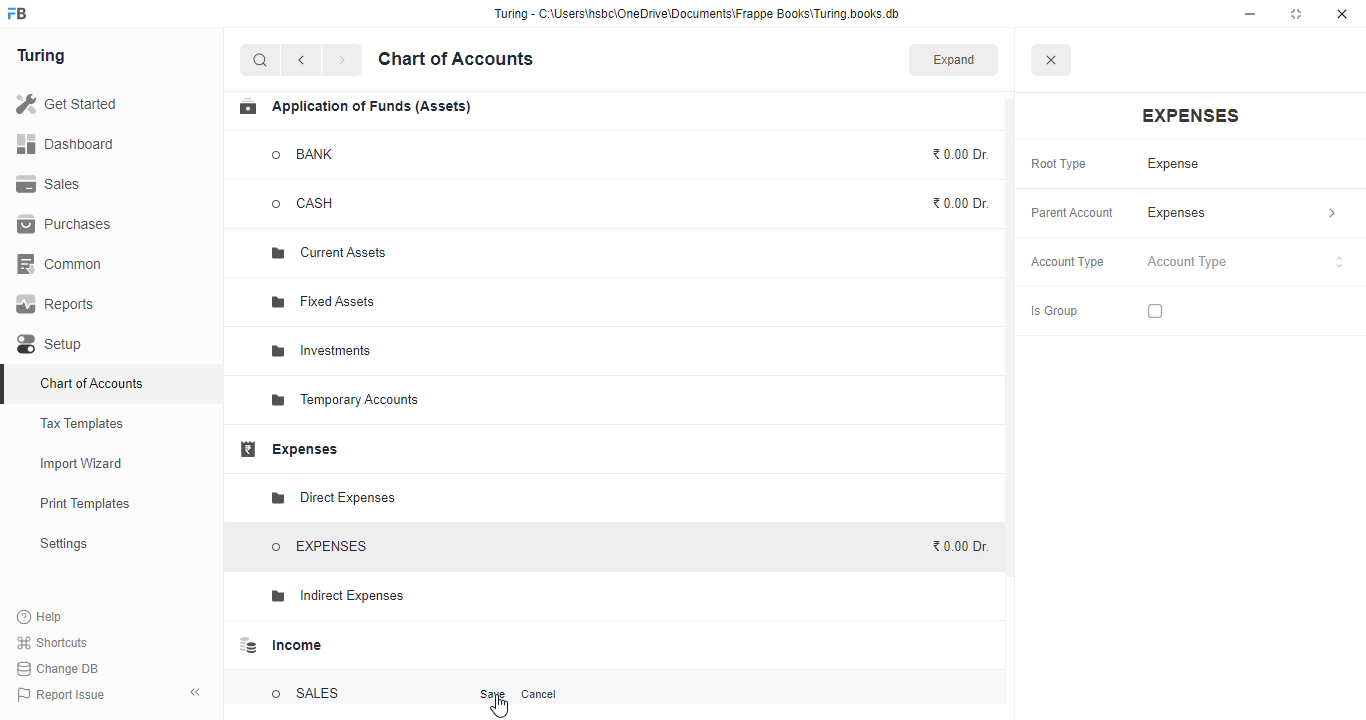 The image size is (1366, 720). What do you see at coordinates (958, 546) in the screenshot?
I see `₹0.00 Dr.` at bounding box center [958, 546].